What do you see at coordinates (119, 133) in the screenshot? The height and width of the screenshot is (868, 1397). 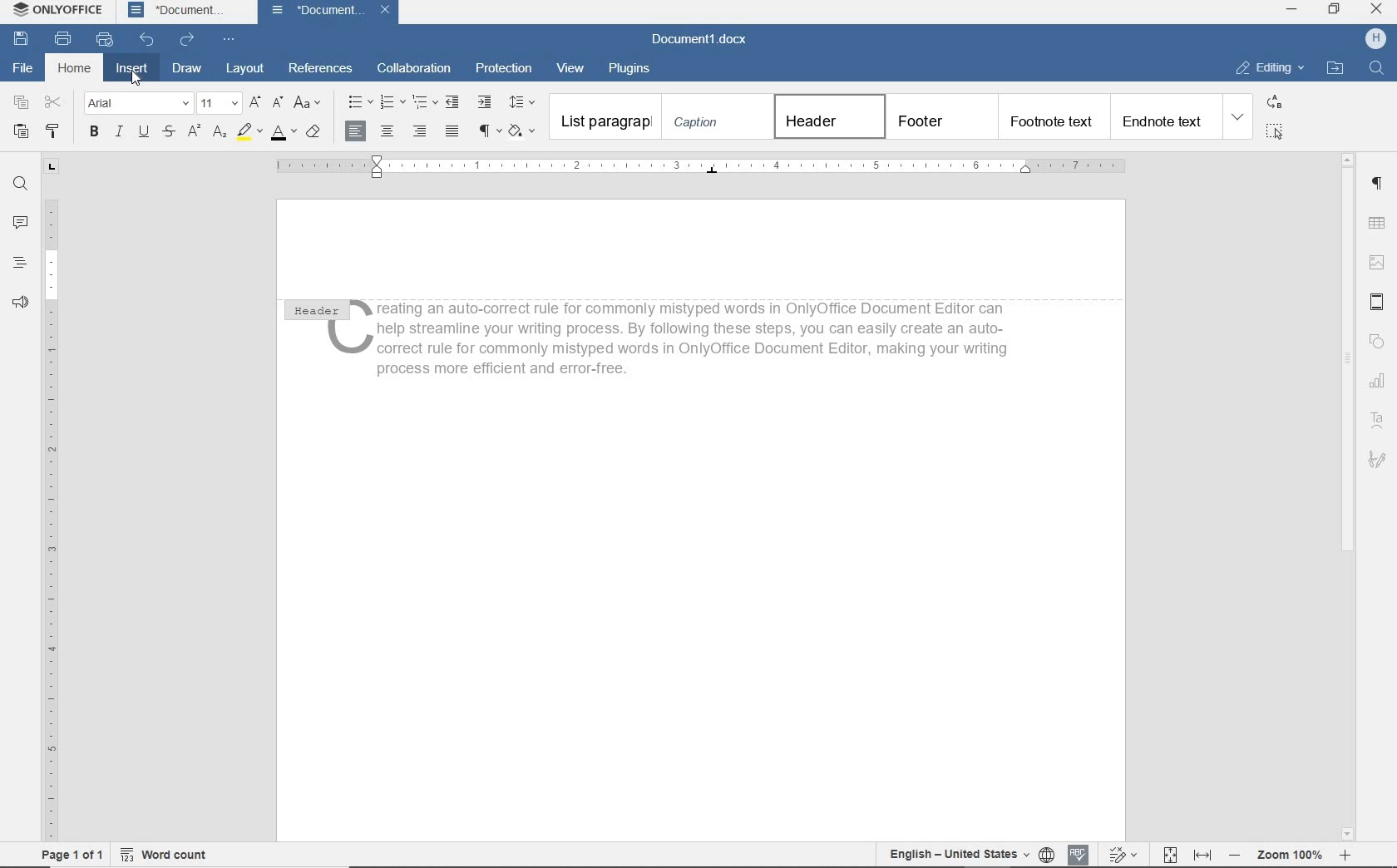 I see `ITALIC` at bounding box center [119, 133].